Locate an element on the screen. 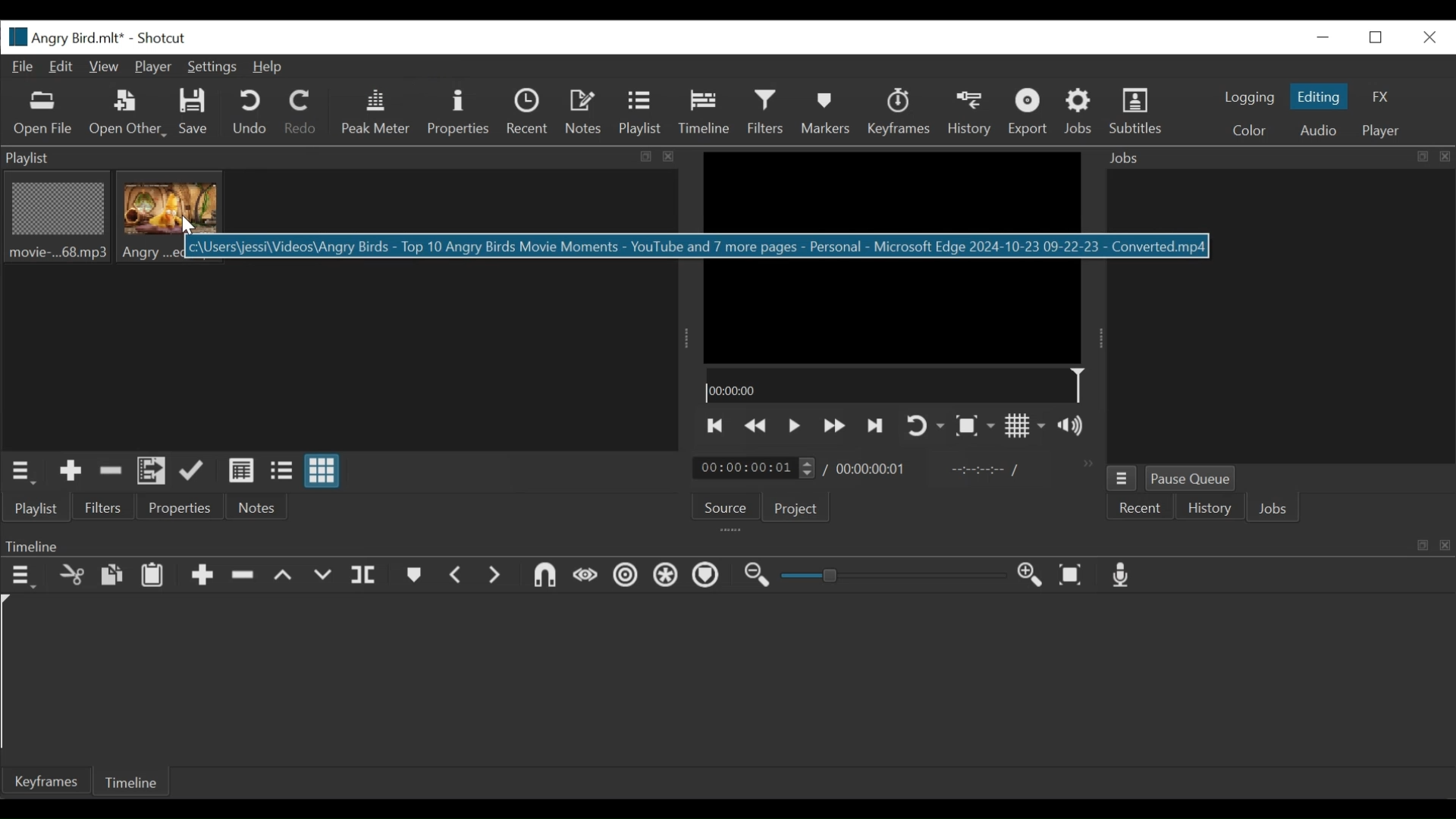  Filters is located at coordinates (105, 507).